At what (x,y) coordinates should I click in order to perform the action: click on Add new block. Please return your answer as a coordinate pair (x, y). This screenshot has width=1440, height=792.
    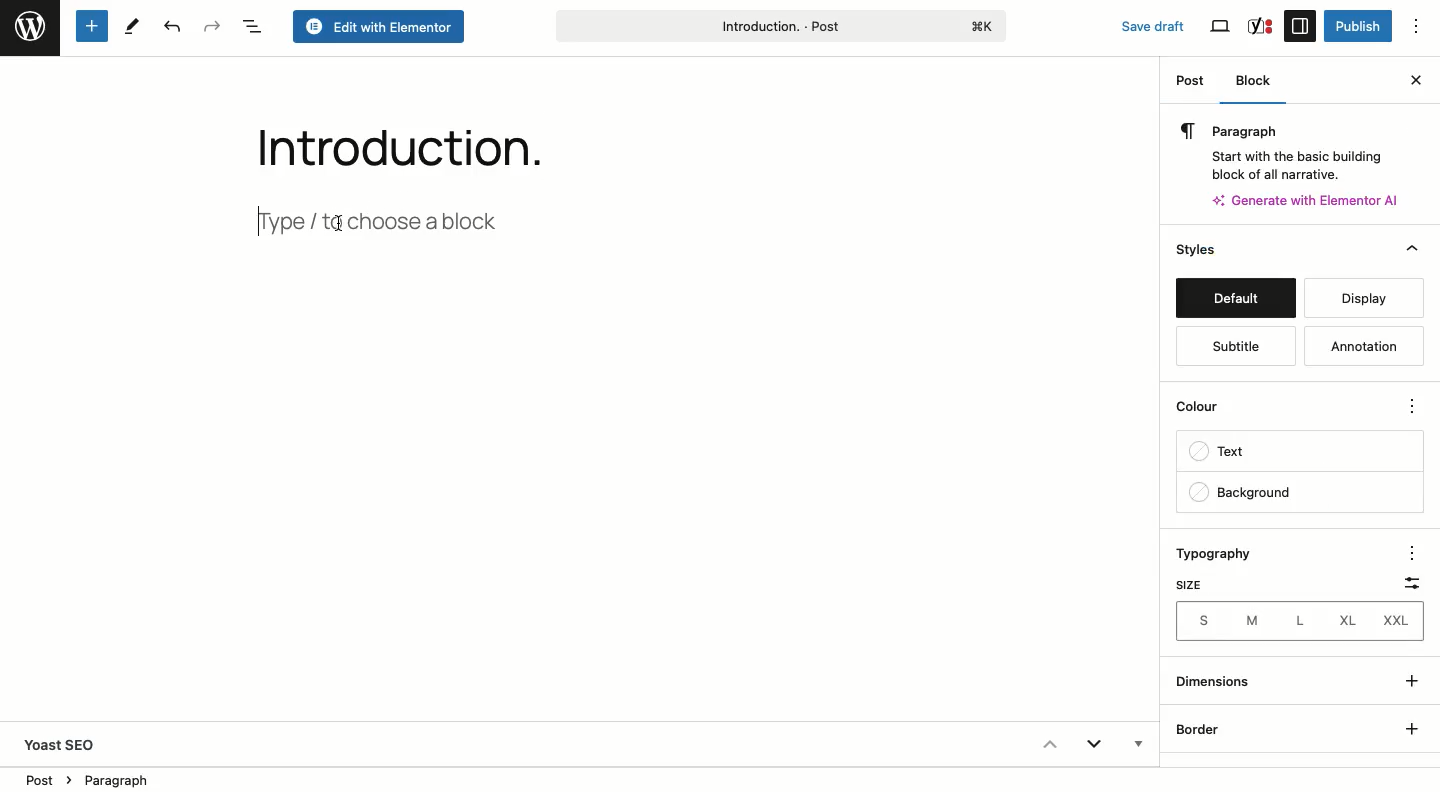
    Looking at the image, I should click on (90, 27).